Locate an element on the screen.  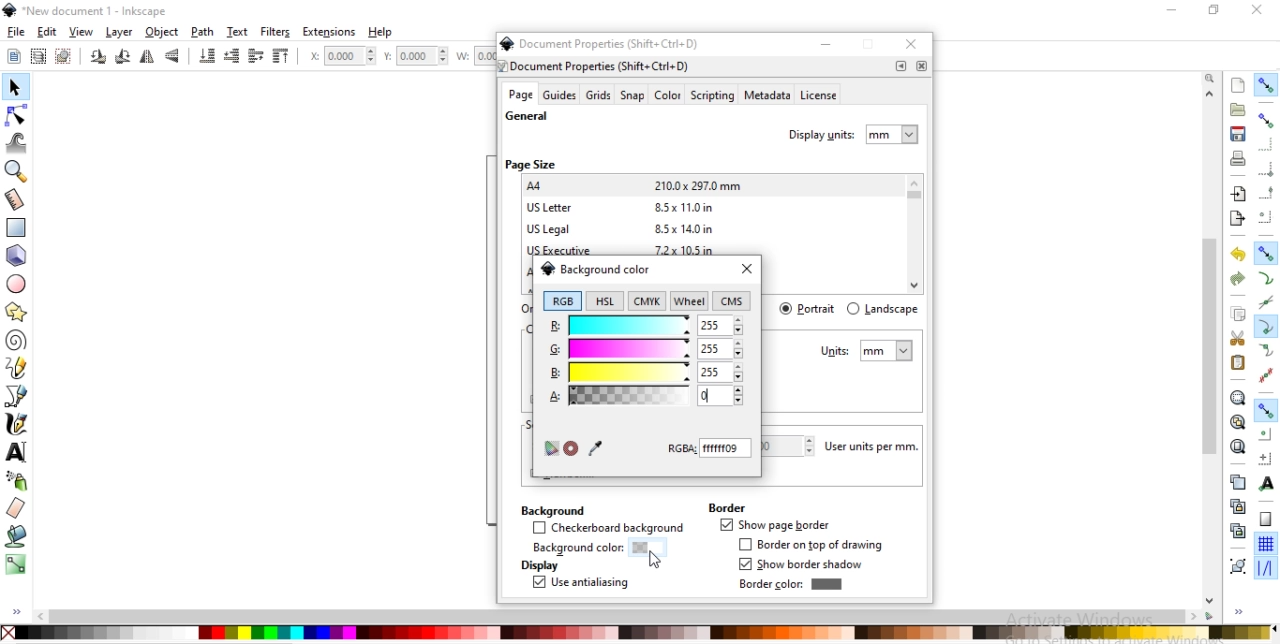
draw freehand lines is located at coordinates (16, 368).